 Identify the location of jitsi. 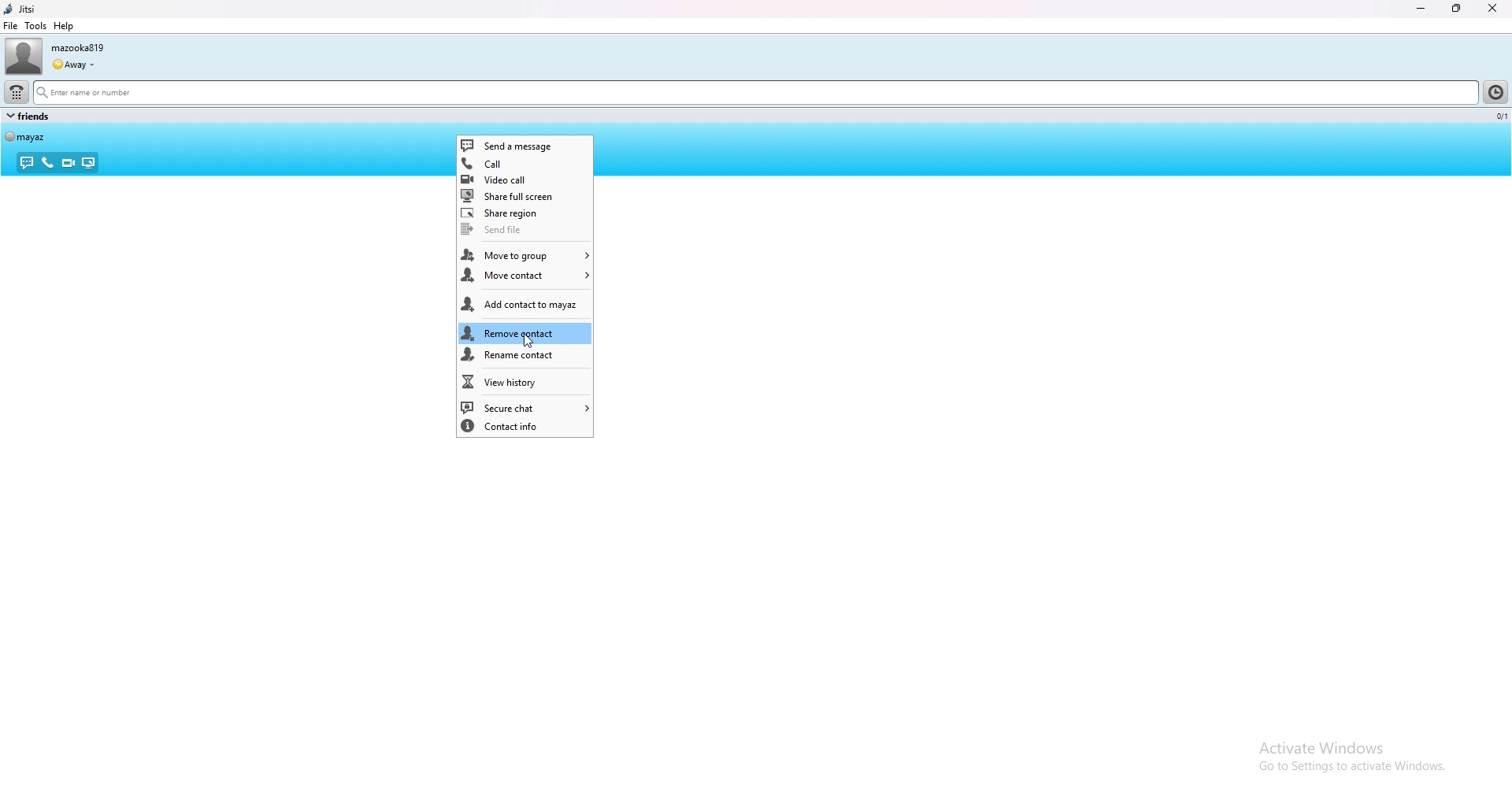
(20, 9).